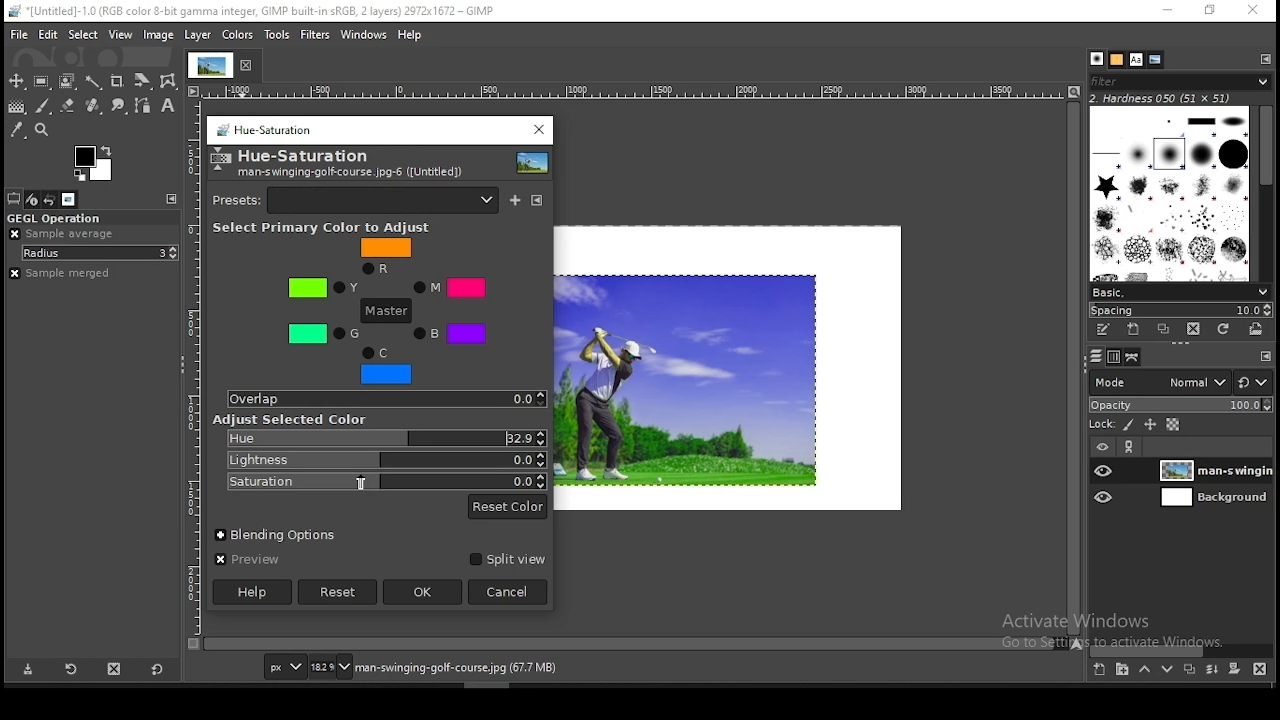 This screenshot has width=1280, height=720. Describe the element at coordinates (423, 593) in the screenshot. I see `ok` at that location.